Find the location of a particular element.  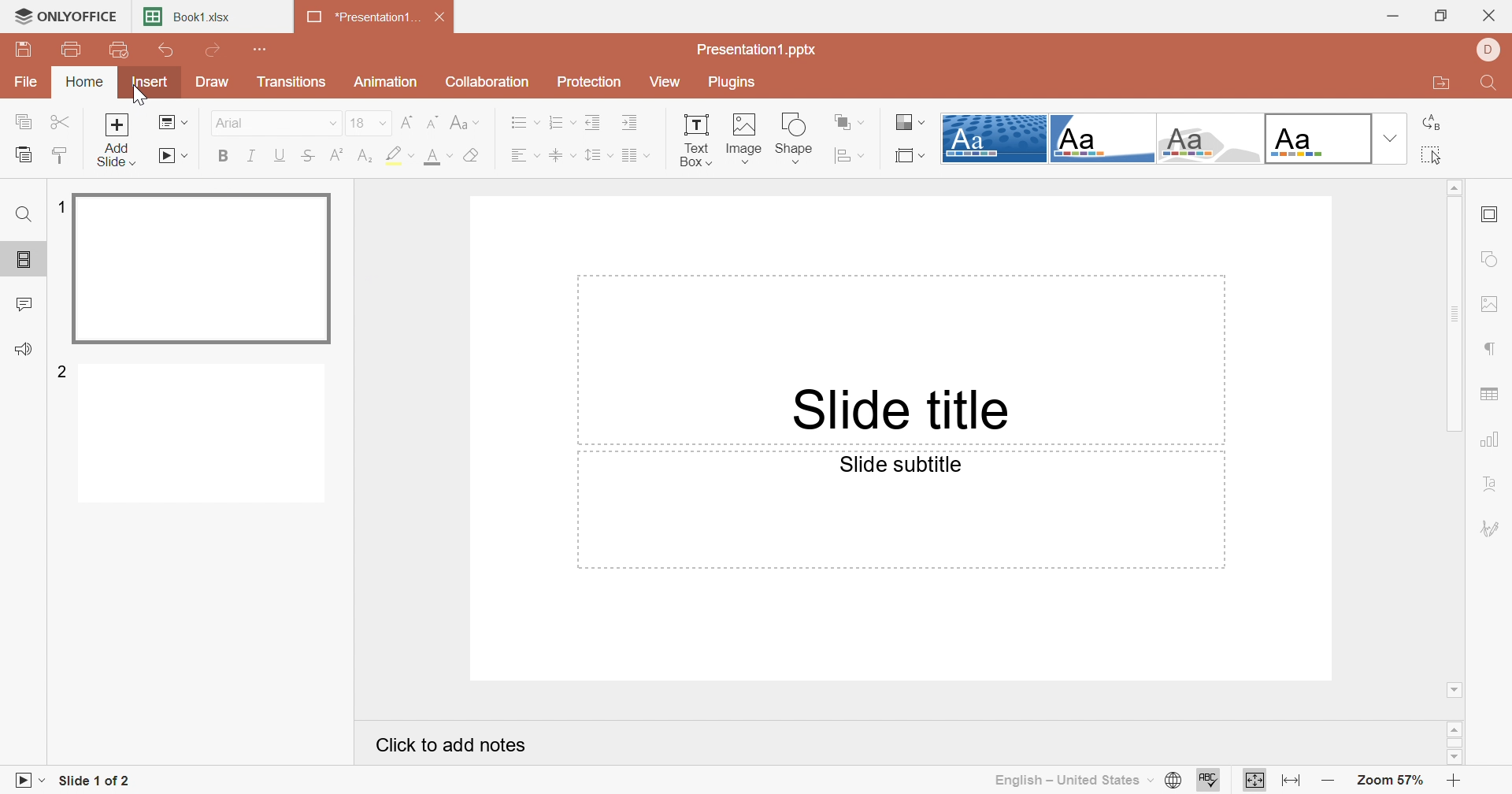

Align shape is located at coordinates (849, 157).